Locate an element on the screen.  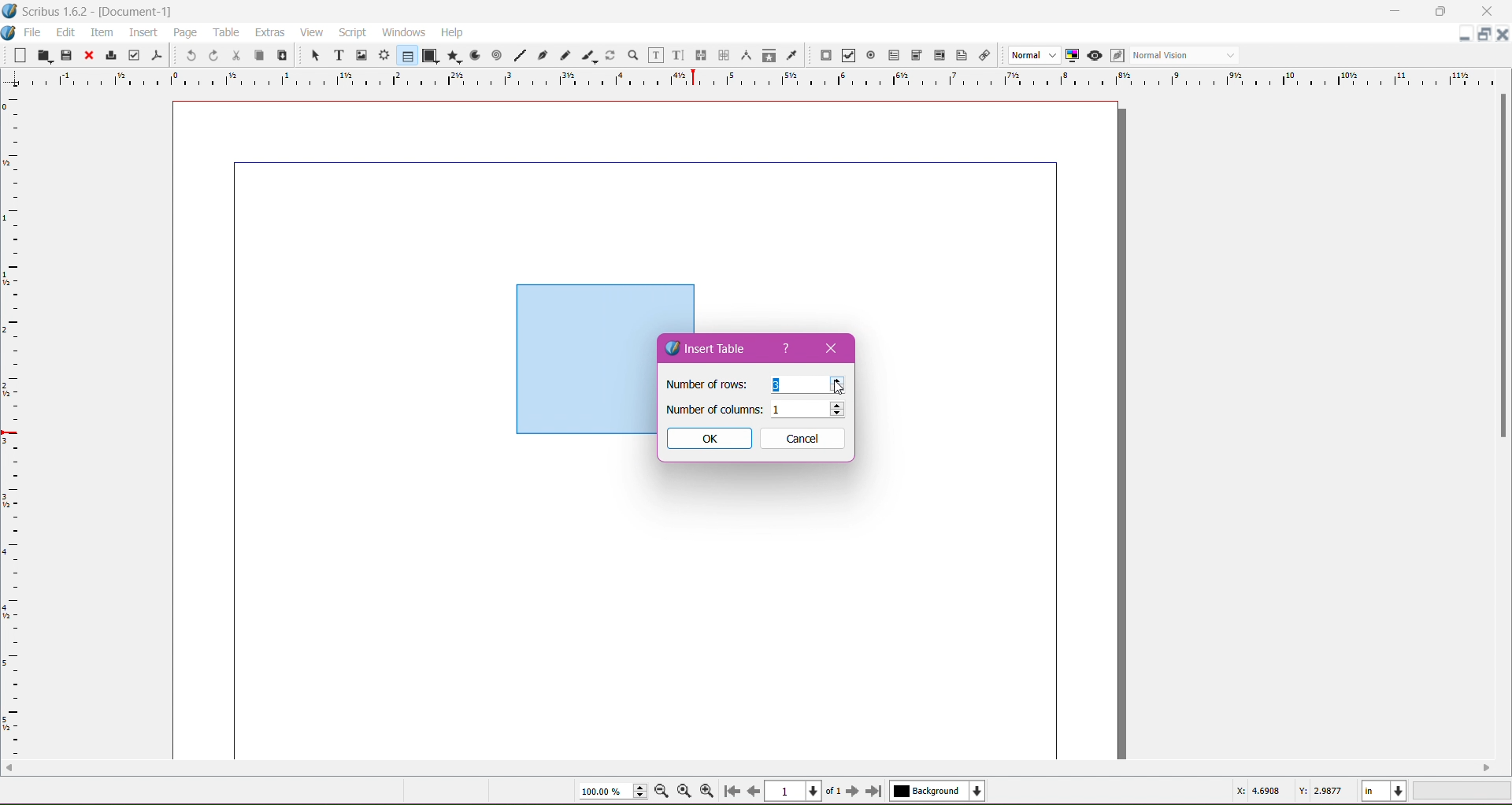
Save is located at coordinates (67, 54).